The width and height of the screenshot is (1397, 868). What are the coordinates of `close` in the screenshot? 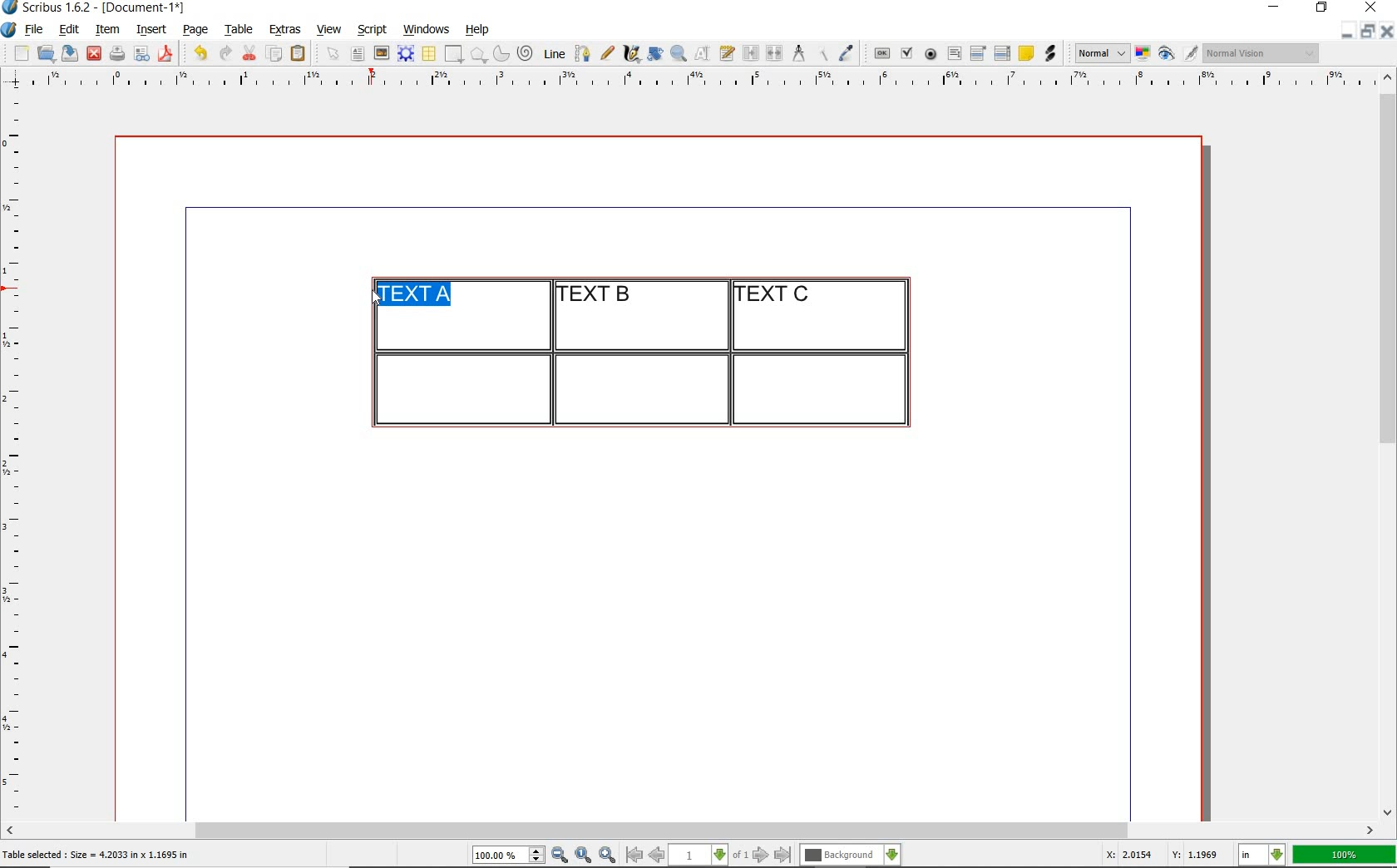 It's located at (1387, 31).